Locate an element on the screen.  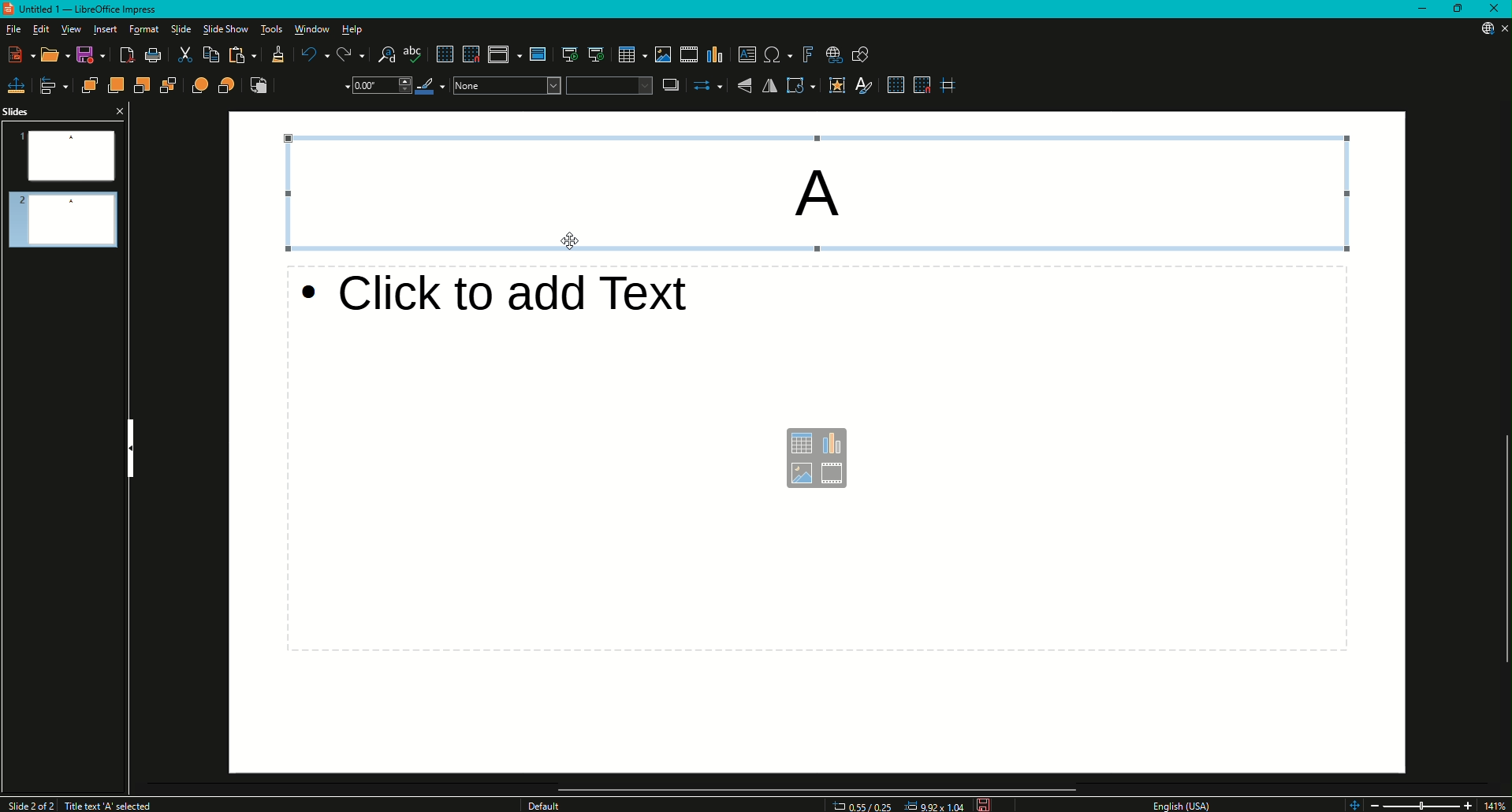
Start from first slide is located at coordinates (566, 53).